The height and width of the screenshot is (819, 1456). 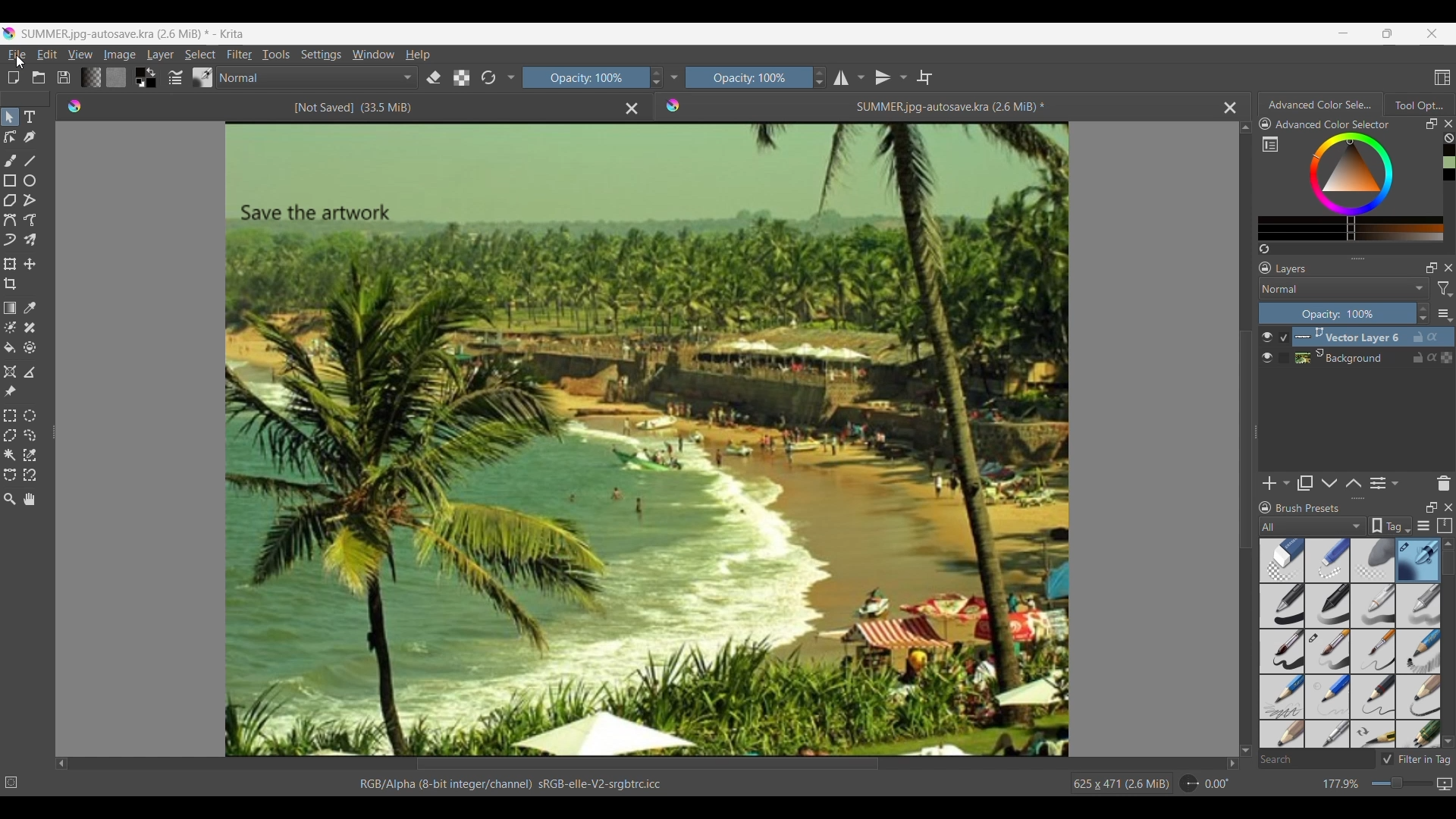 What do you see at coordinates (582, 78) in the screenshot?
I see `Scale to change opacity` at bounding box center [582, 78].